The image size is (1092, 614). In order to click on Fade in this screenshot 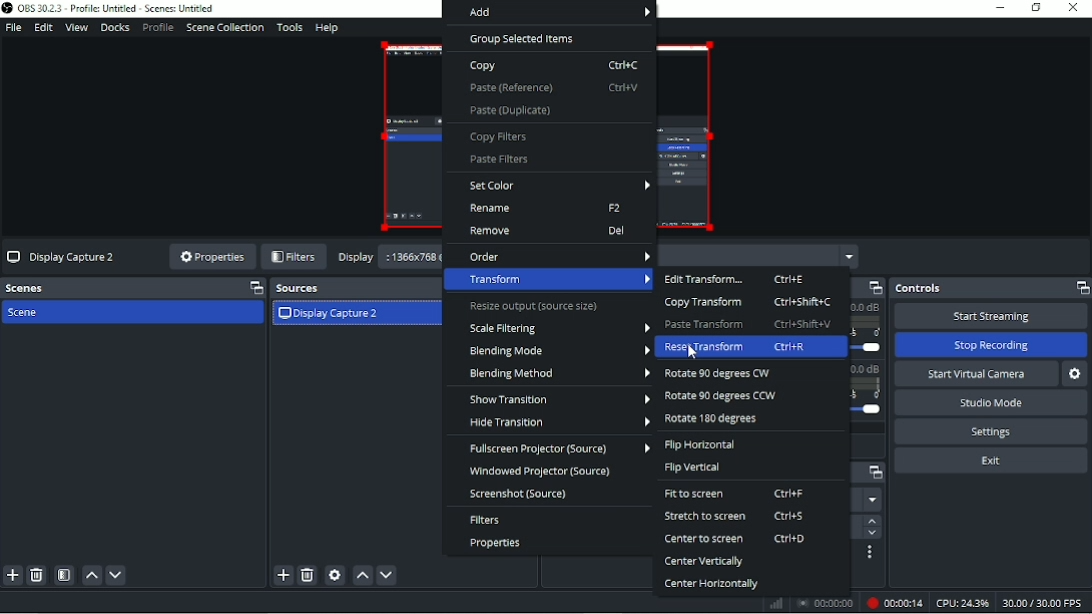, I will do `click(871, 500)`.